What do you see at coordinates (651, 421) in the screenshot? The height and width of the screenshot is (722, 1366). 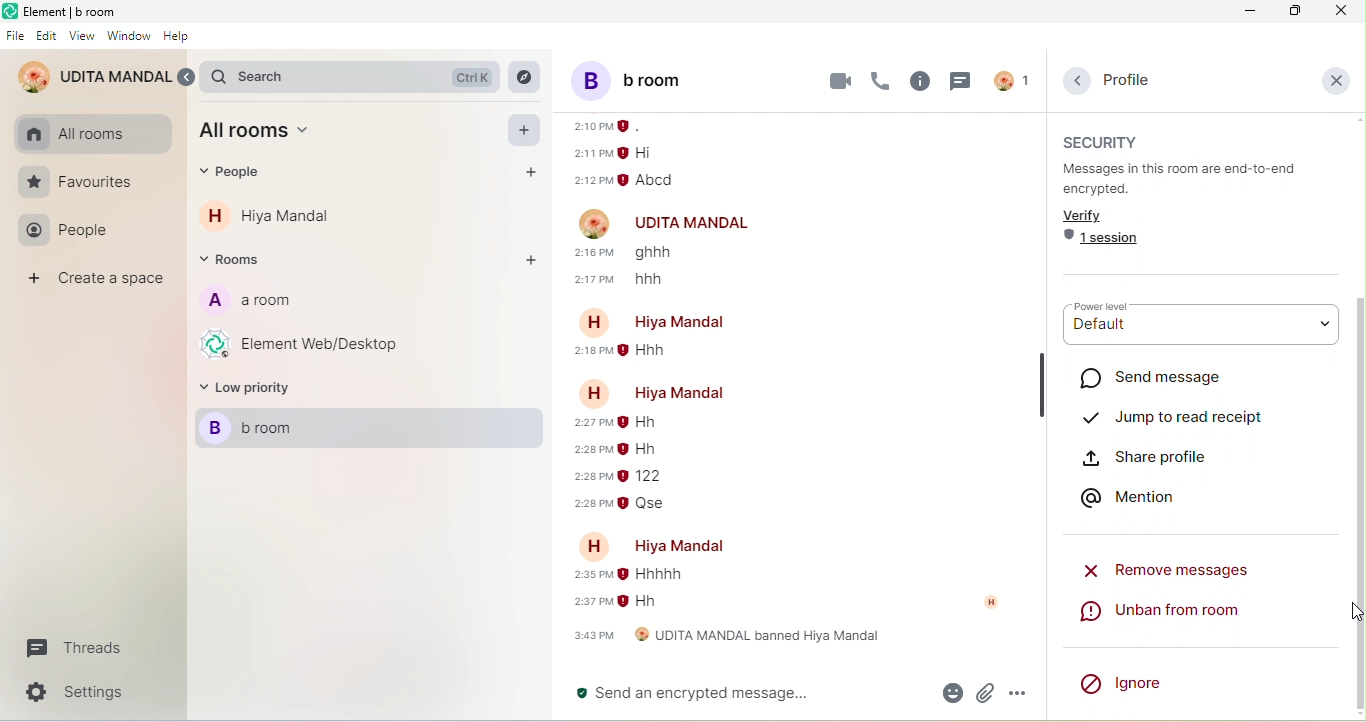 I see `hh-older message from hiya mandal` at bounding box center [651, 421].